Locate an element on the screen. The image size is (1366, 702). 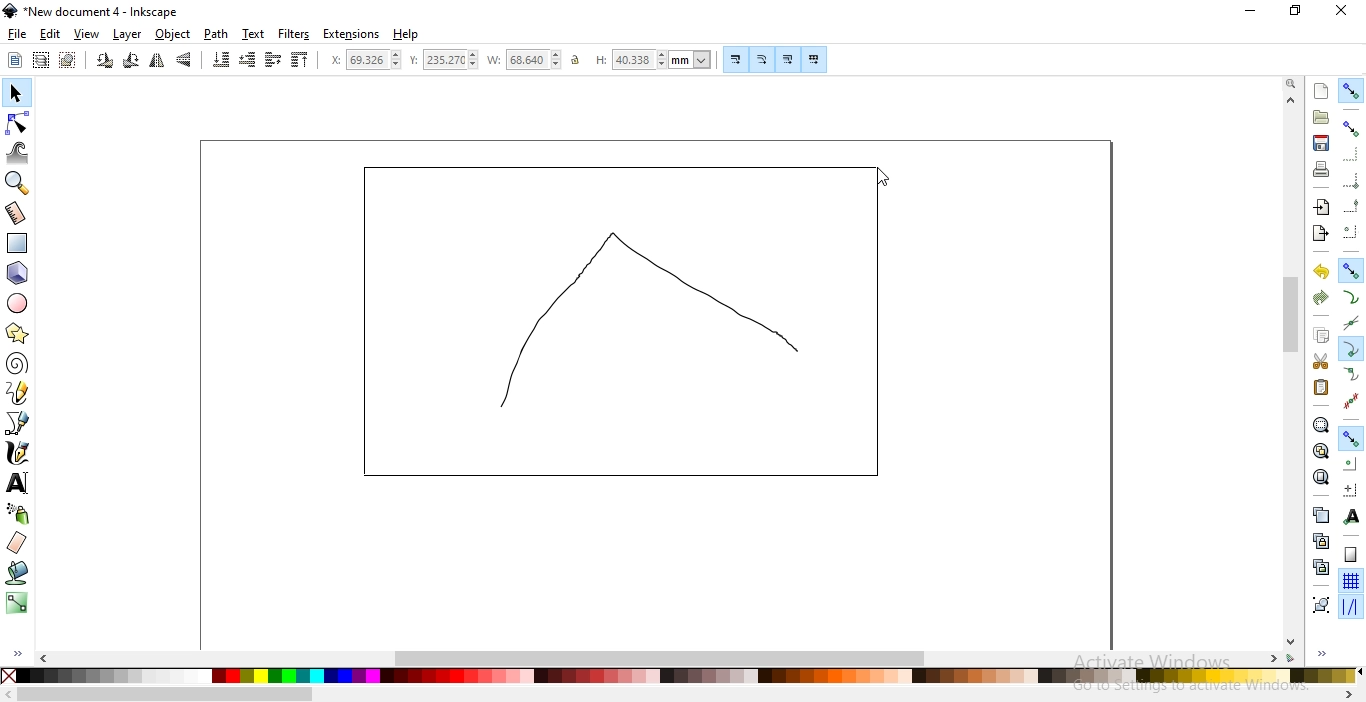
save an existing document is located at coordinates (1321, 142).